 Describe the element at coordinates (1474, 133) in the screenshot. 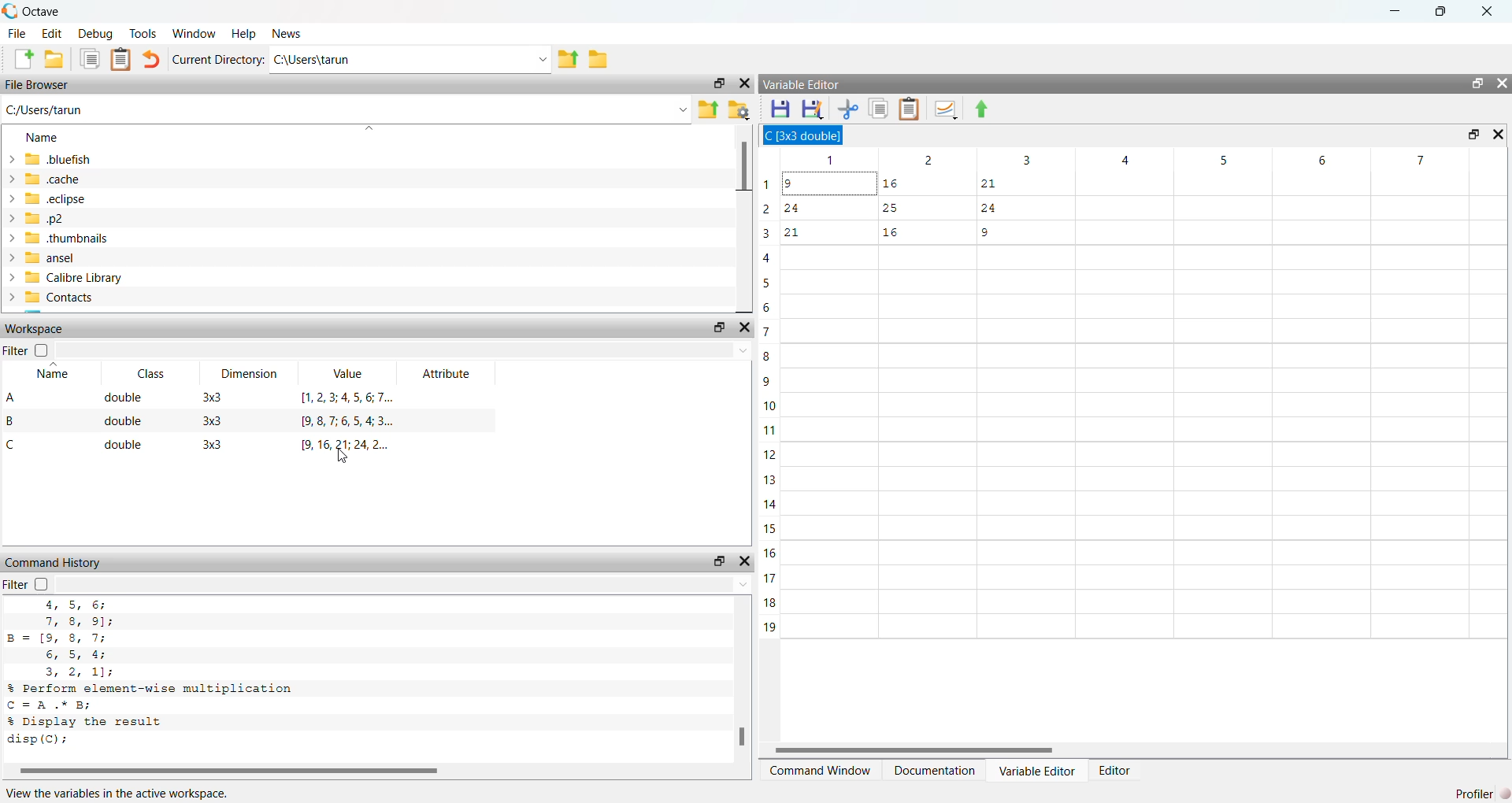

I see `Restore Down` at that location.